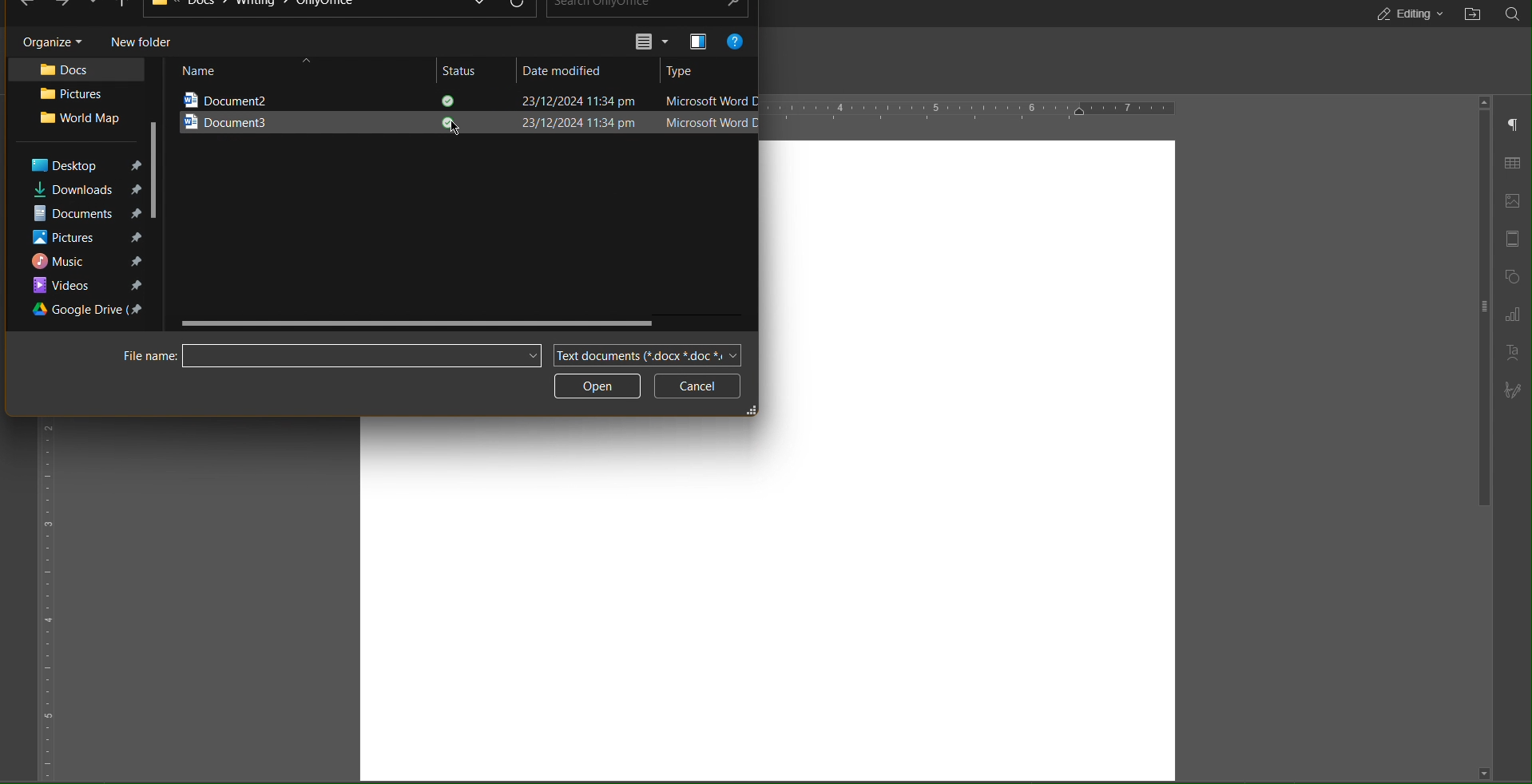 This screenshot has height=784, width=1532. I want to click on New Folder, so click(144, 42).